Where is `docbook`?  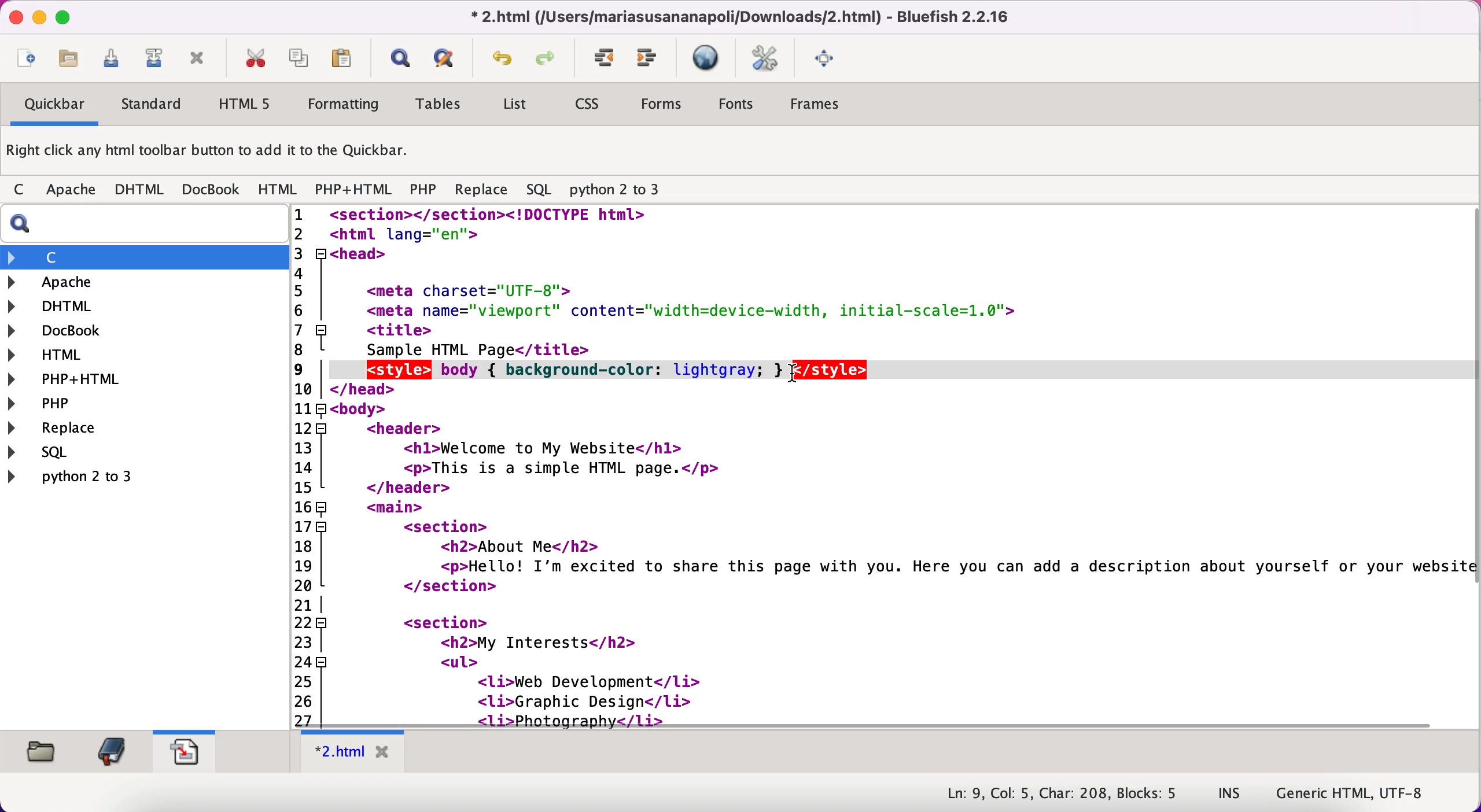 docbook is located at coordinates (212, 189).